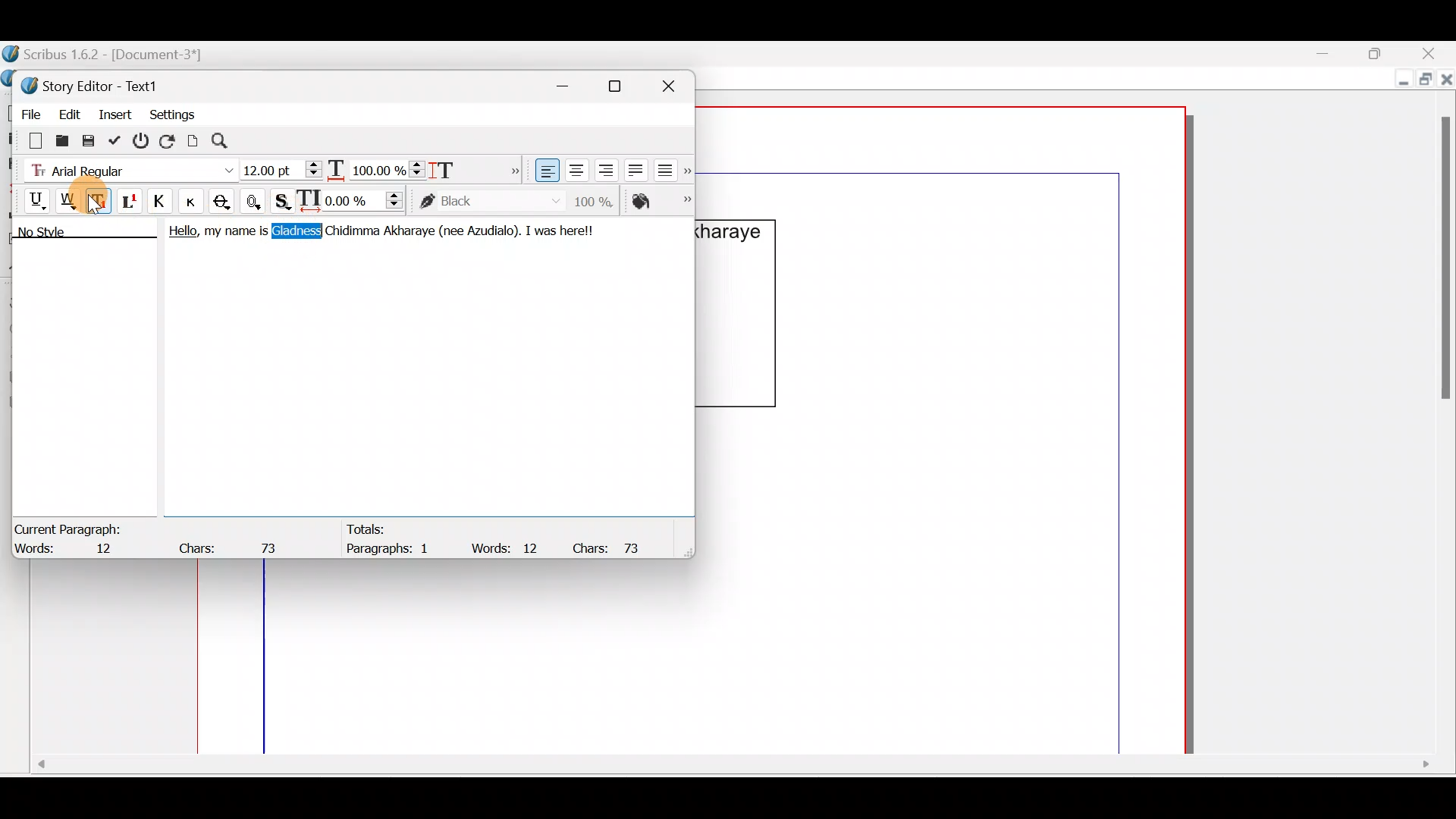  Describe the element at coordinates (545, 171) in the screenshot. I see `Align text left` at that location.